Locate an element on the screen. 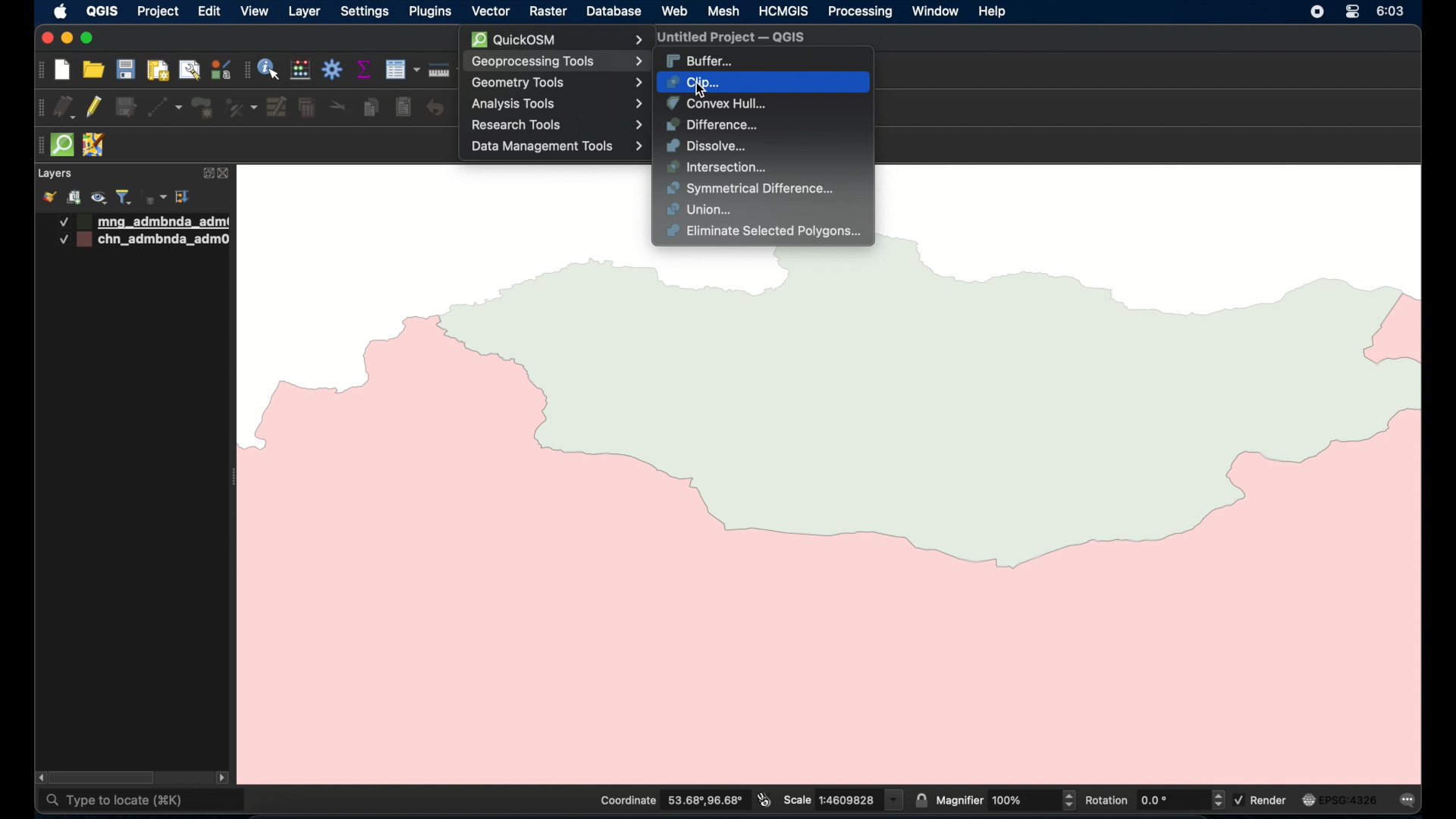 The image size is (1456, 819). toolbox is located at coordinates (333, 69).